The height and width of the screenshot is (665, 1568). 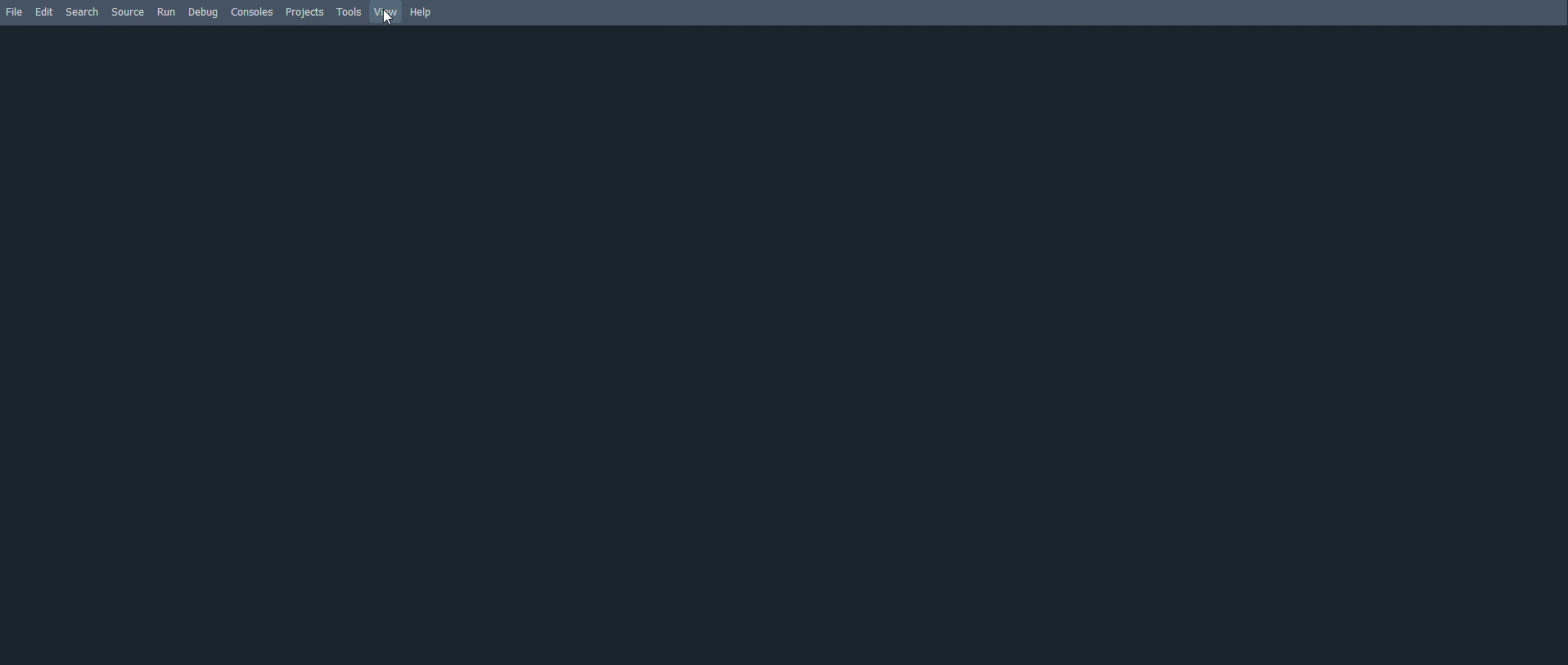 What do you see at coordinates (306, 13) in the screenshot?
I see `Projects` at bounding box center [306, 13].